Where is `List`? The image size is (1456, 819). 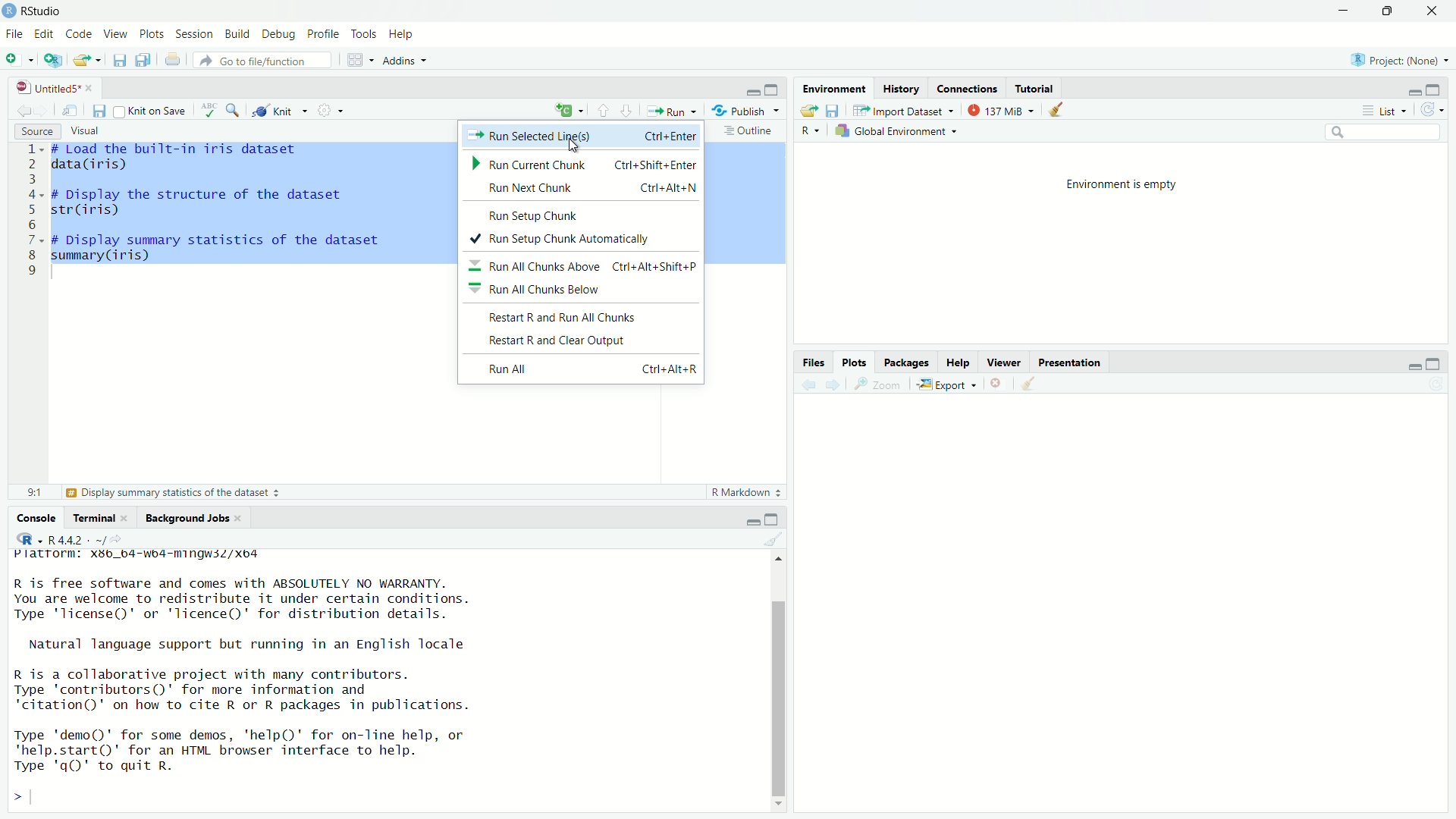
List is located at coordinates (1382, 109).